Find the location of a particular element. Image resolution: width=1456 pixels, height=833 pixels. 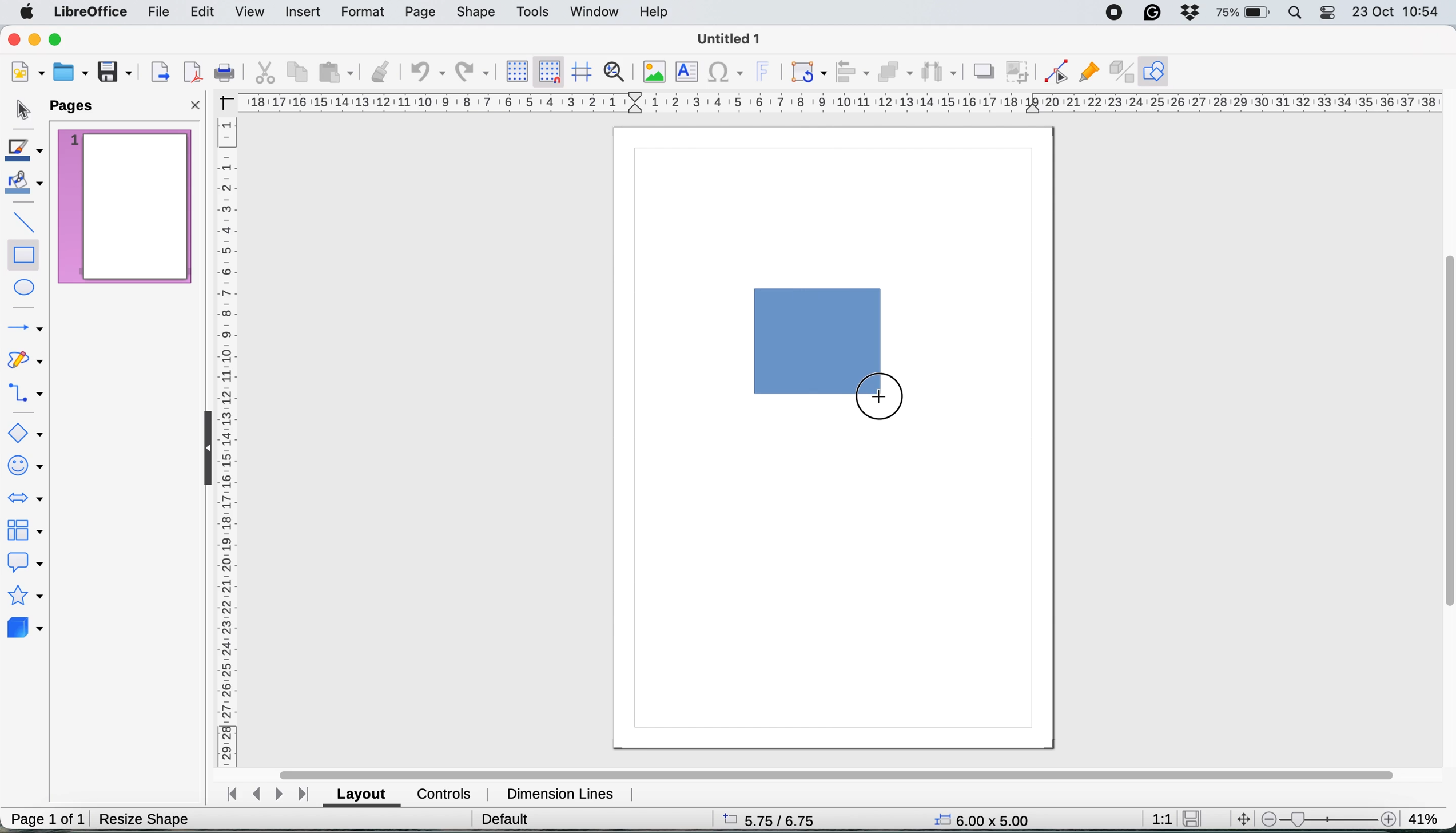

control center is located at coordinates (1329, 12).